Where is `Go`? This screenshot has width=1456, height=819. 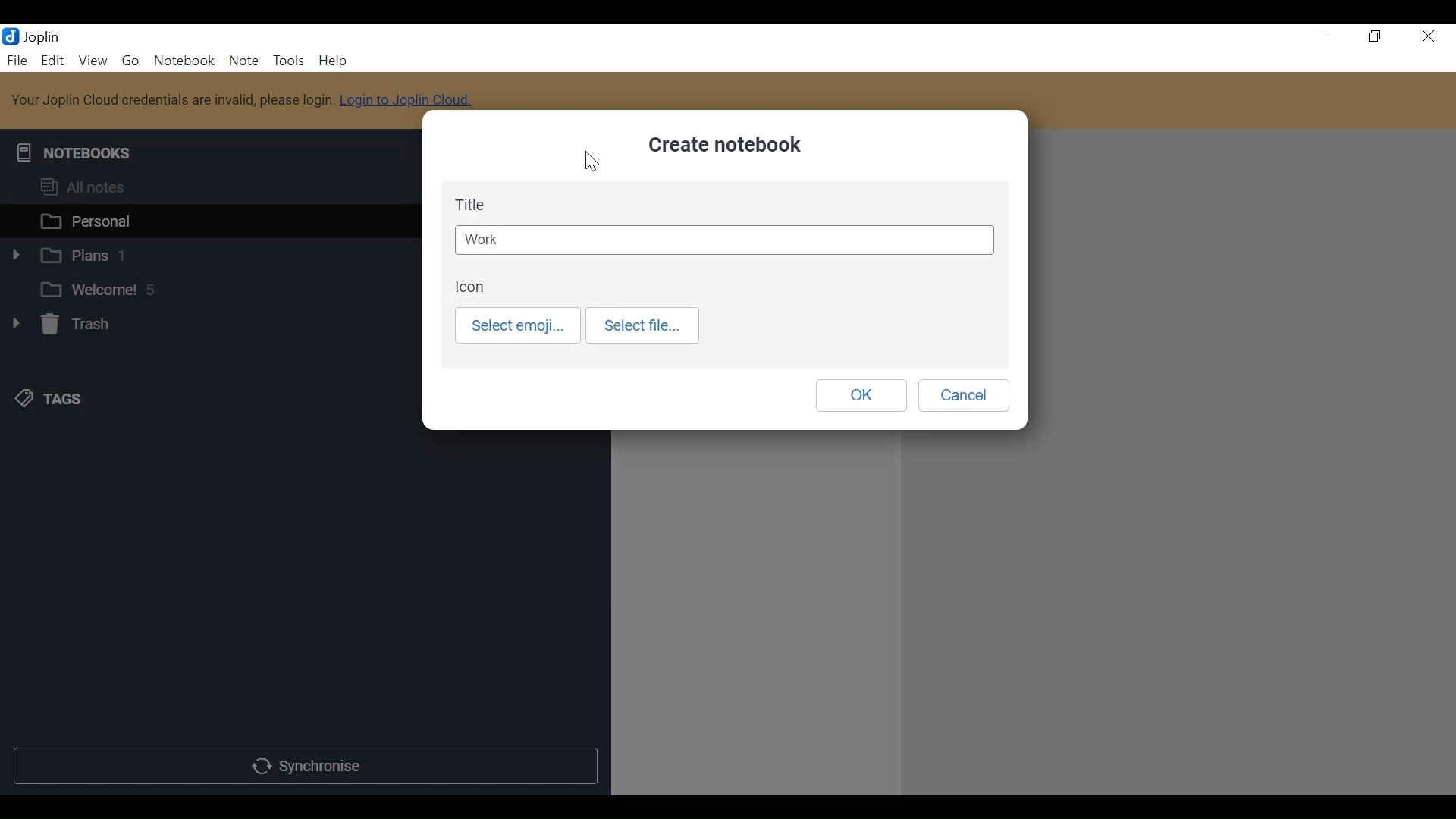 Go is located at coordinates (131, 59).